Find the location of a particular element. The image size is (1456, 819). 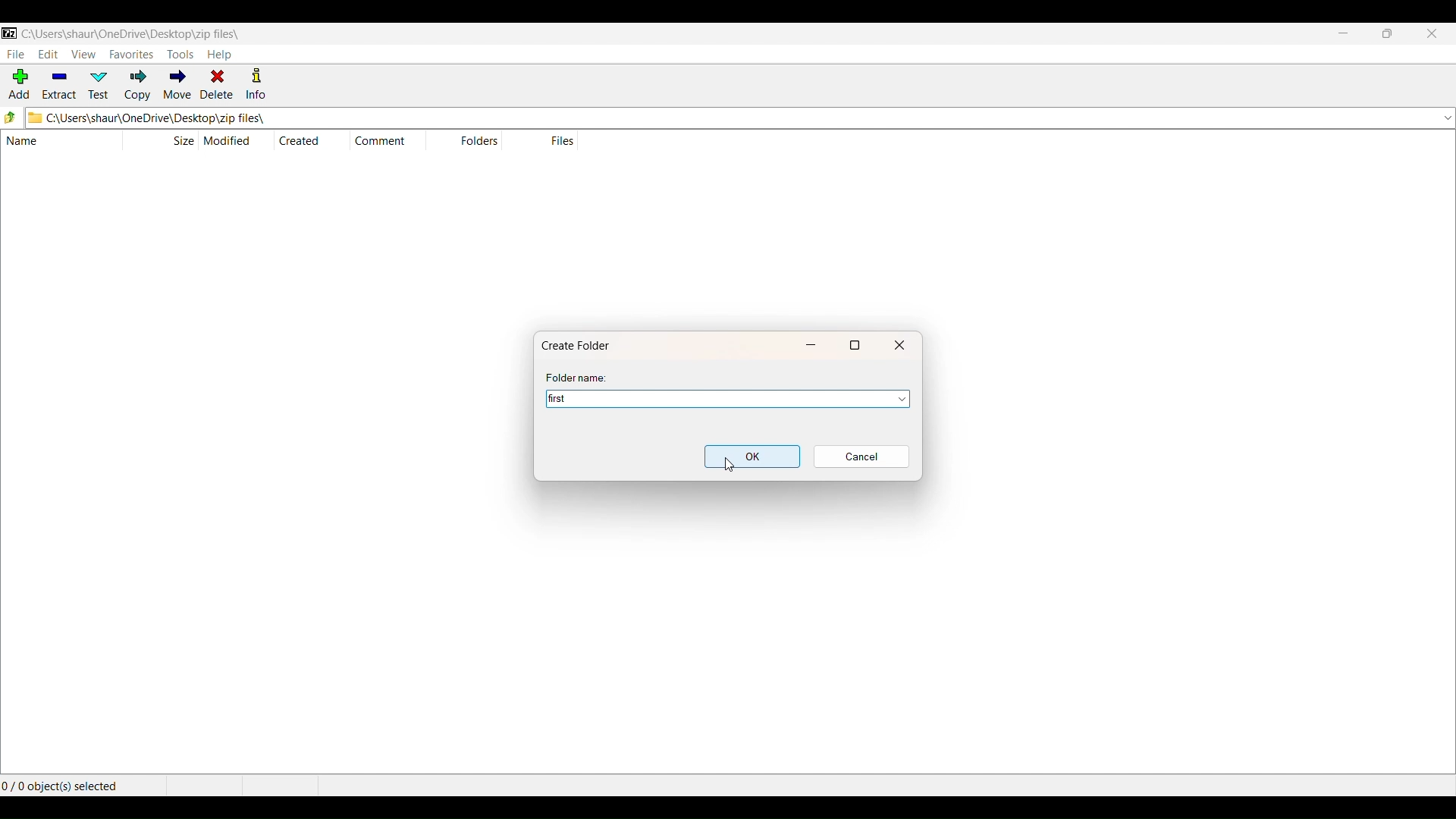

FAVORITES is located at coordinates (130, 53).